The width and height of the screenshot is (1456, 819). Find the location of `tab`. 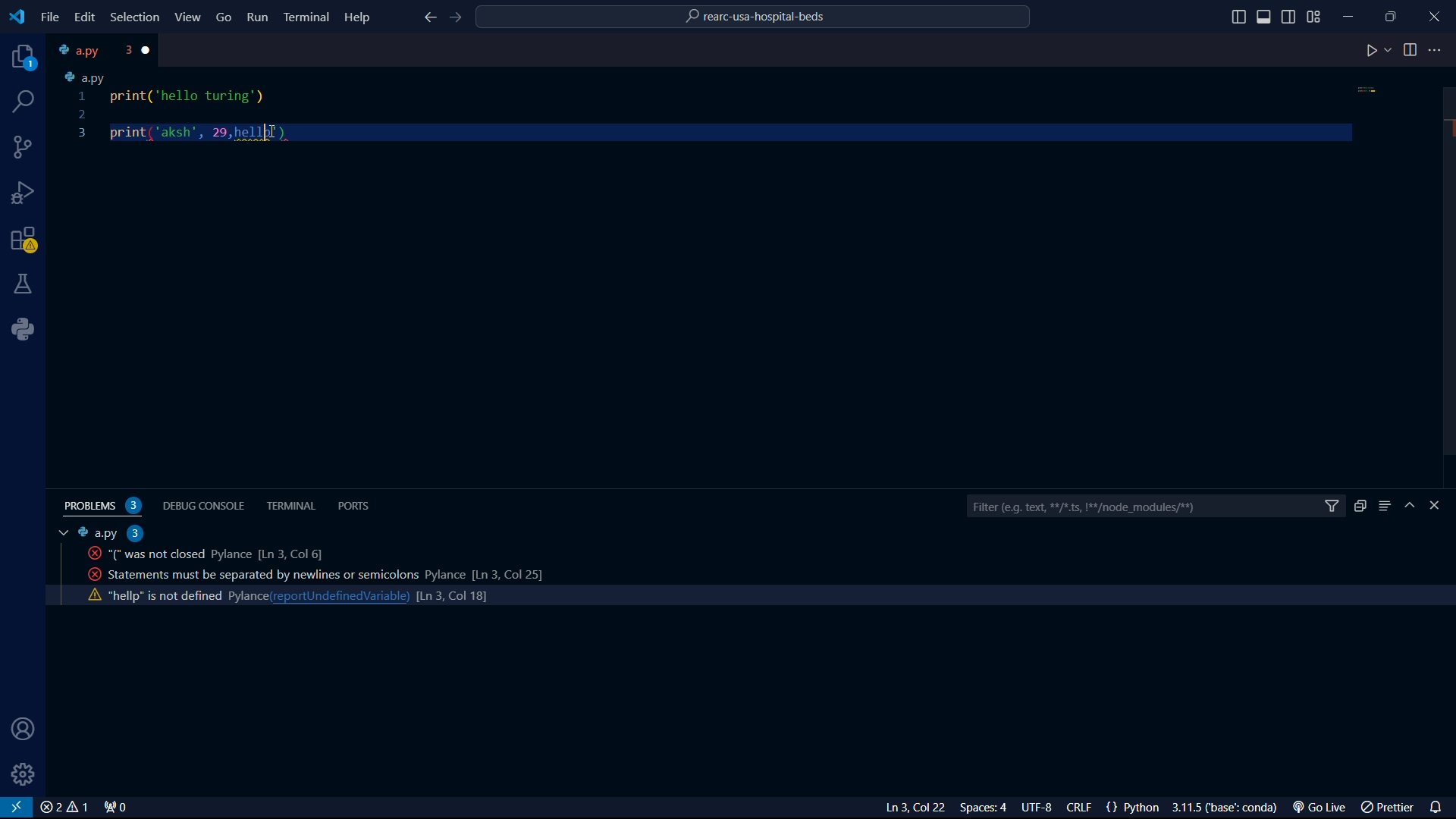

tab is located at coordinates (92, 50).